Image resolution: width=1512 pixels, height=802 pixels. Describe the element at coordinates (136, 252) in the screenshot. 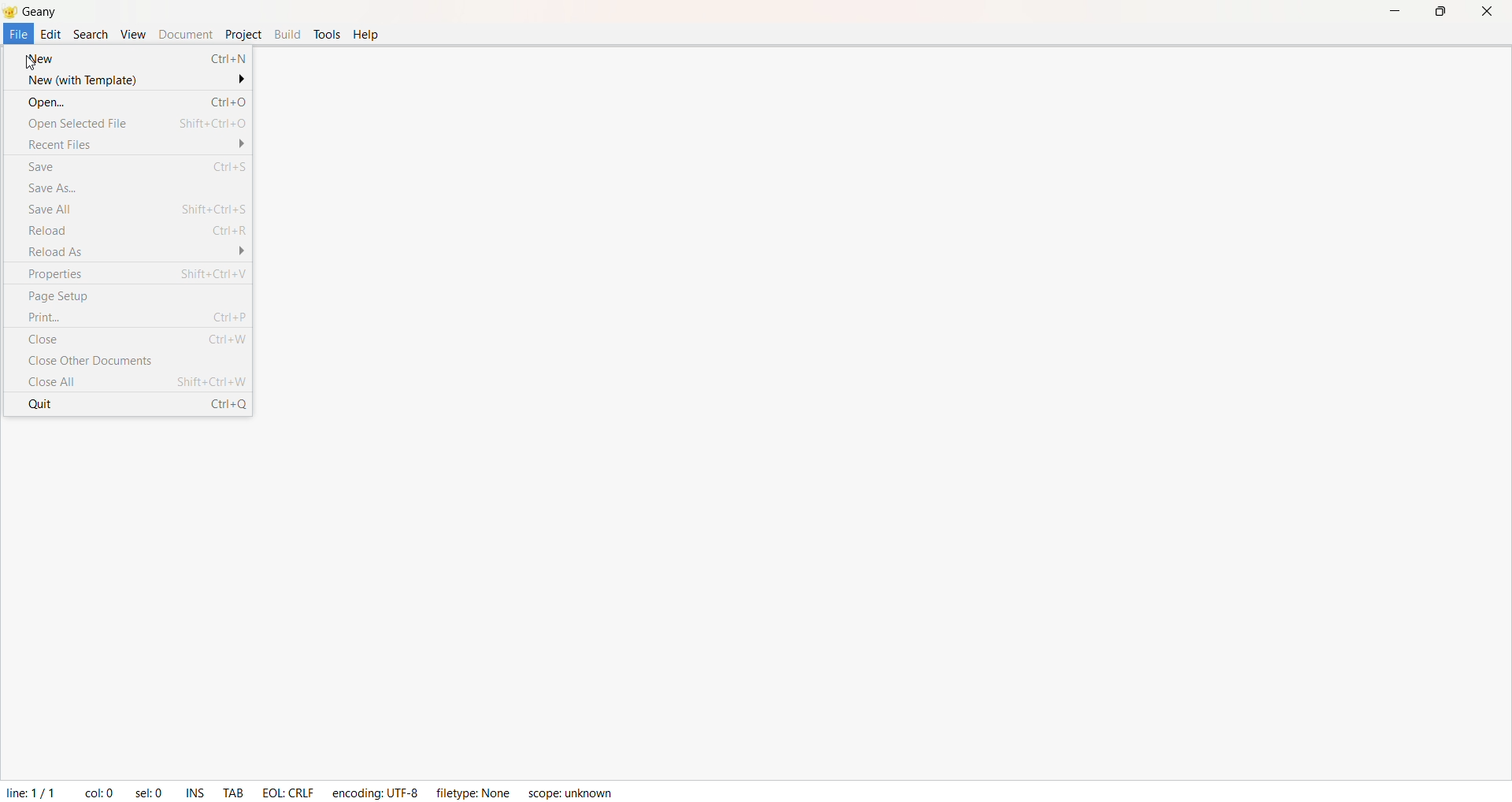

I see `Reload As` at that location.